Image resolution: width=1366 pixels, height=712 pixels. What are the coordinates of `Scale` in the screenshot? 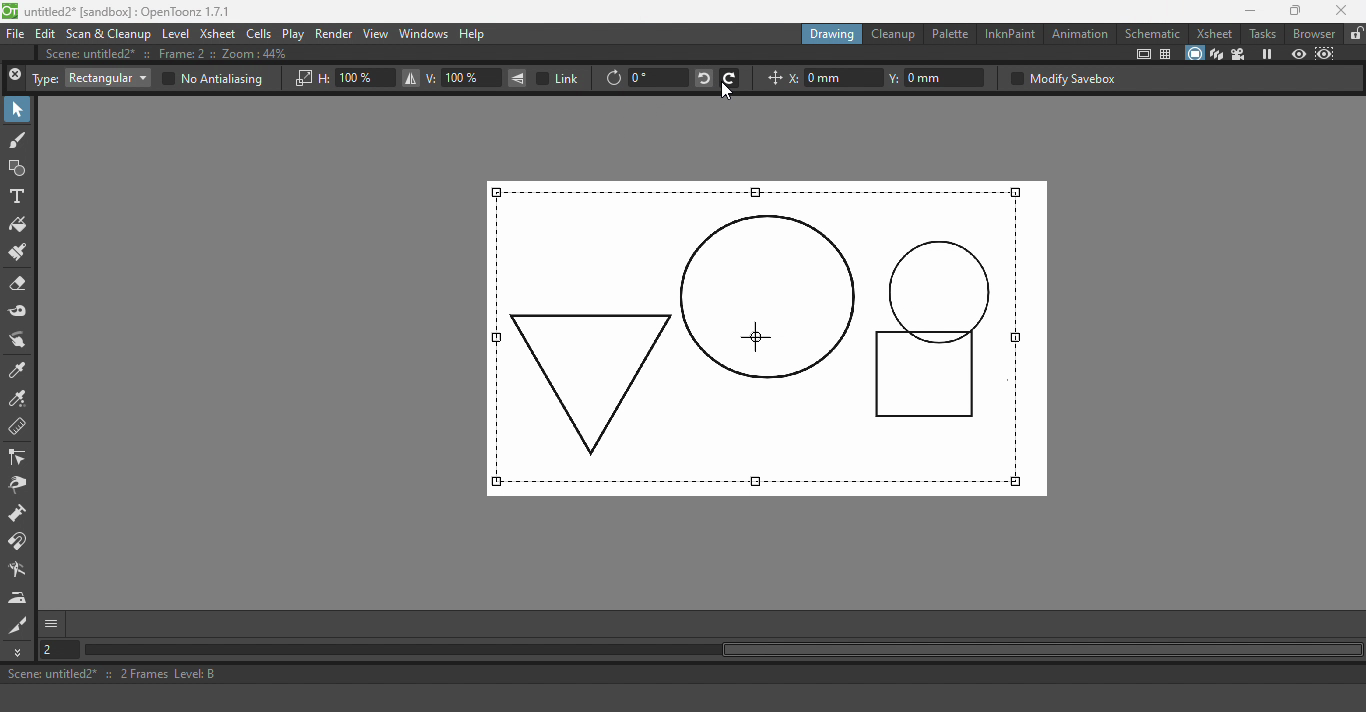 It's located at (302, 79).